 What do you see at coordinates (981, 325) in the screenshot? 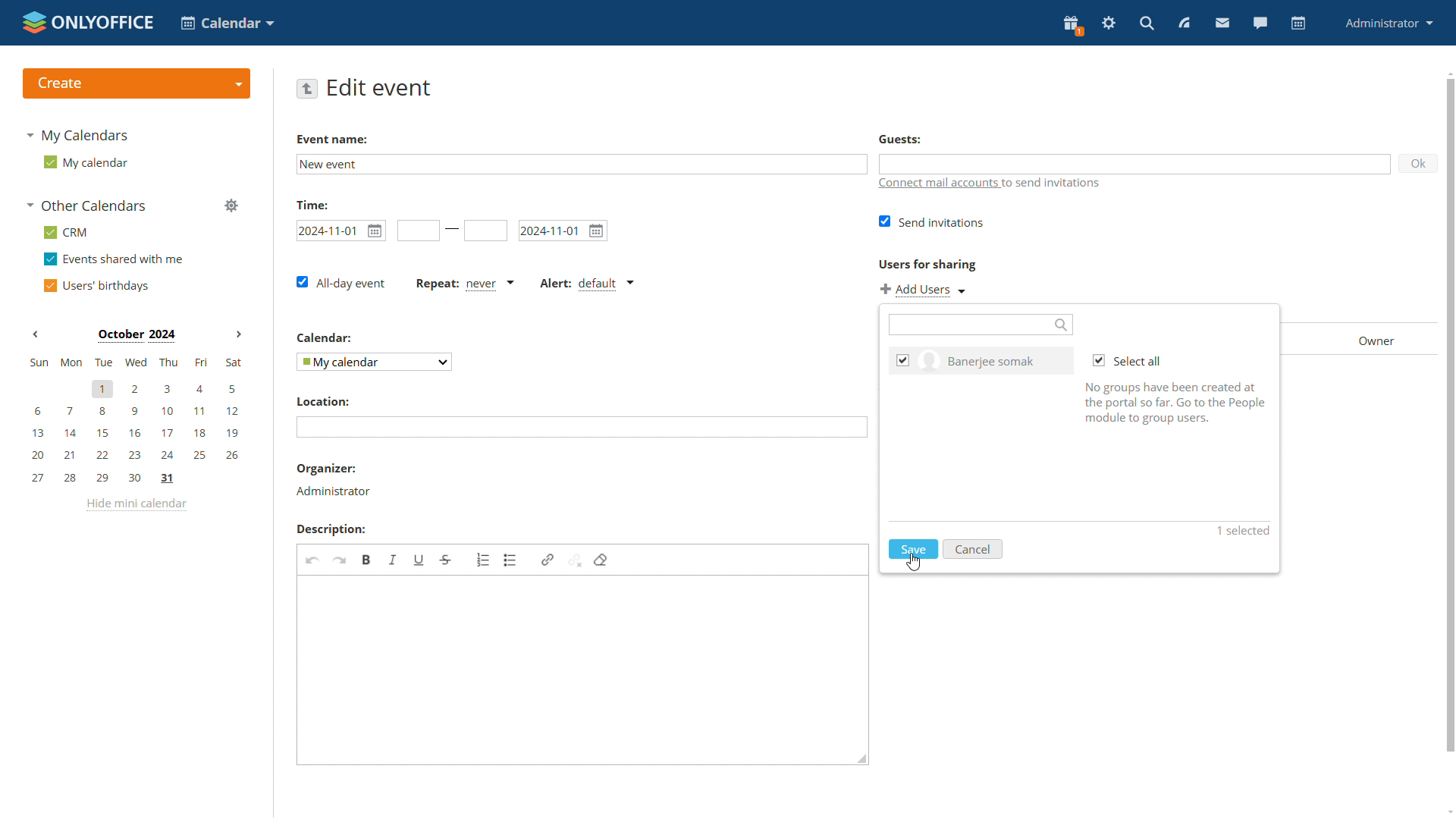
I see `search users` at bounding box center [981, 325].